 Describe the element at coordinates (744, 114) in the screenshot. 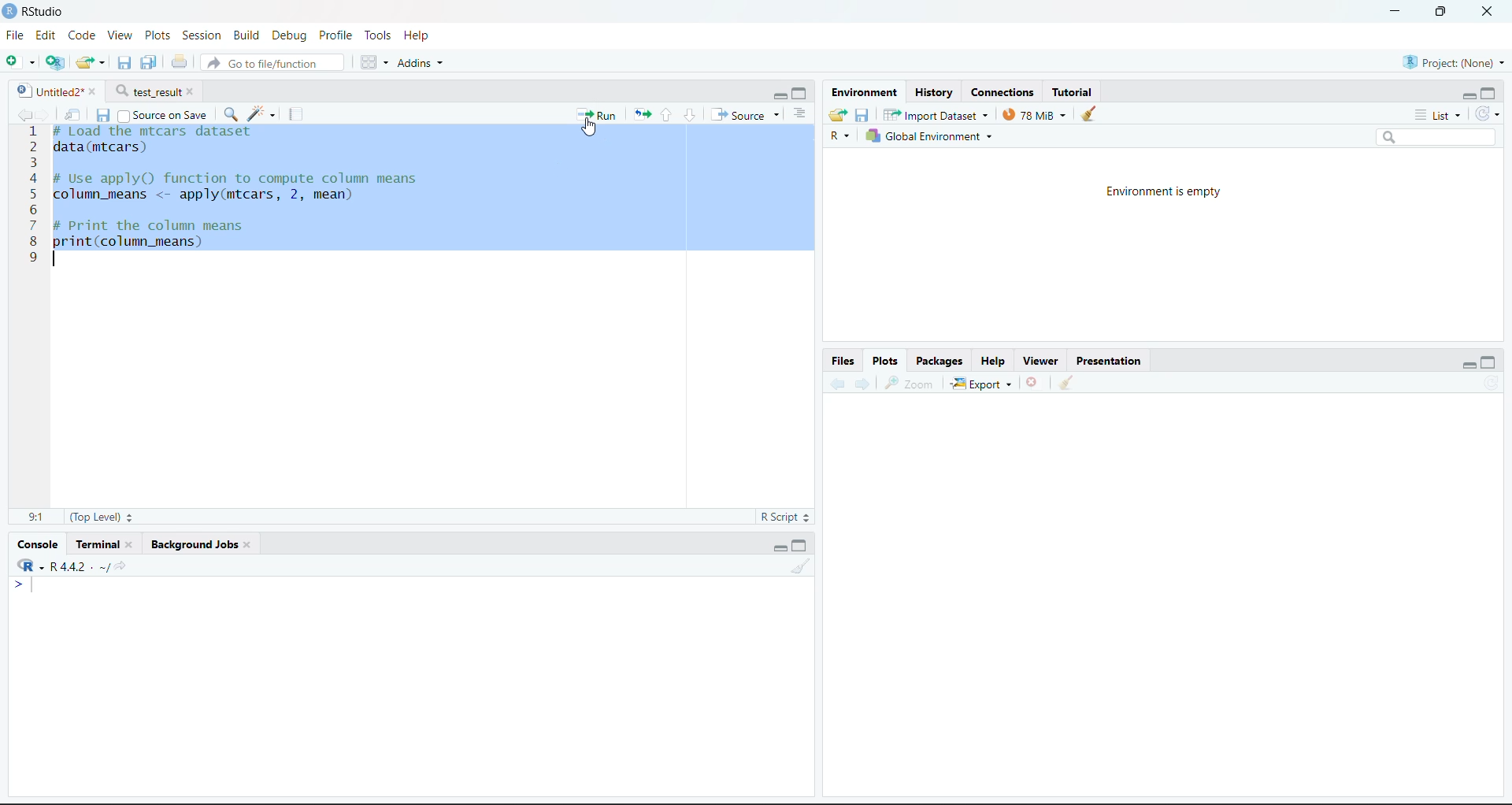

I see `Source` at that location.